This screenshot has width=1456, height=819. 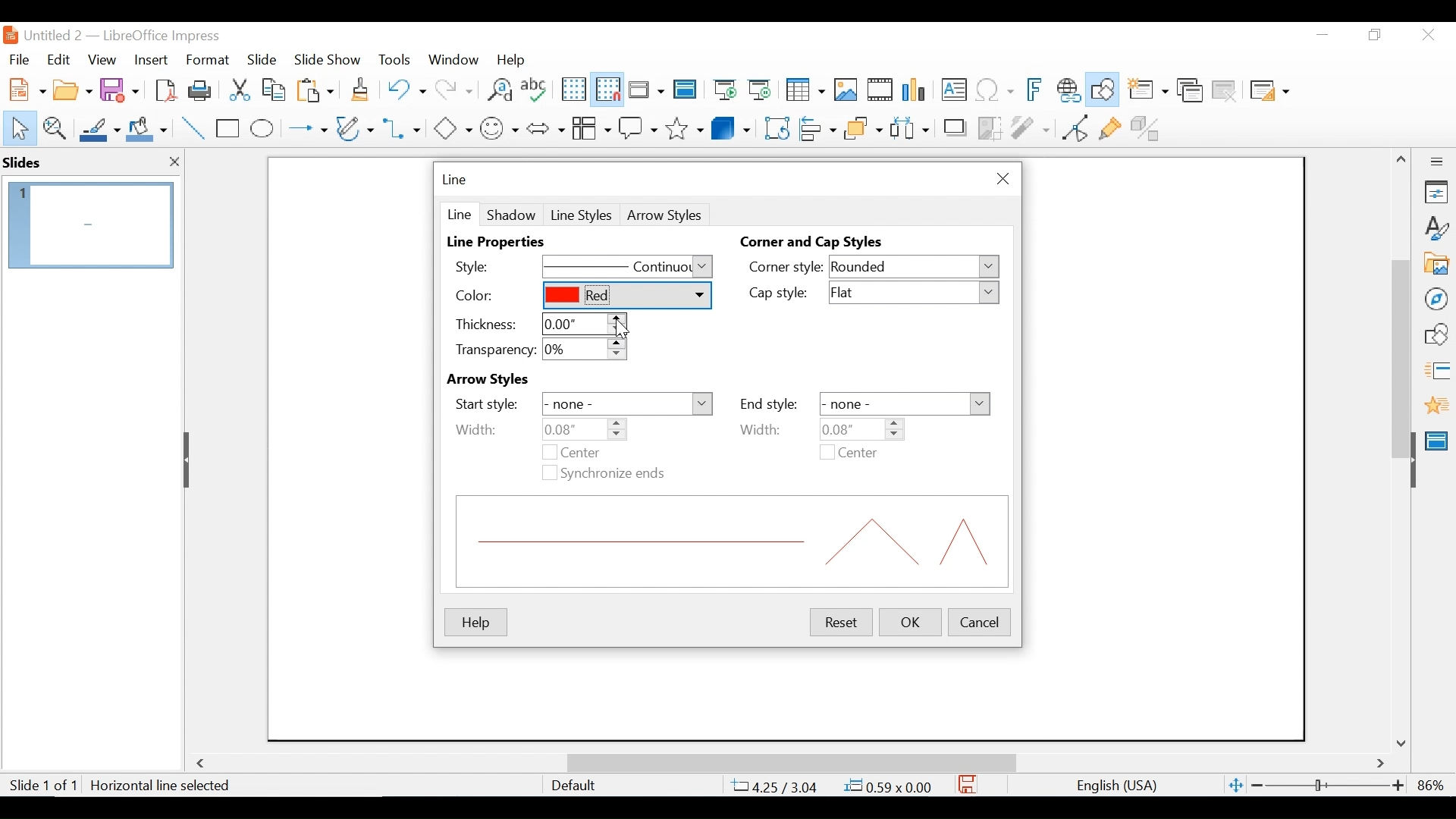 What do you see at coordinates (201, 89) in the screenshot?
I see `Print` at bounding box center [201, 89].